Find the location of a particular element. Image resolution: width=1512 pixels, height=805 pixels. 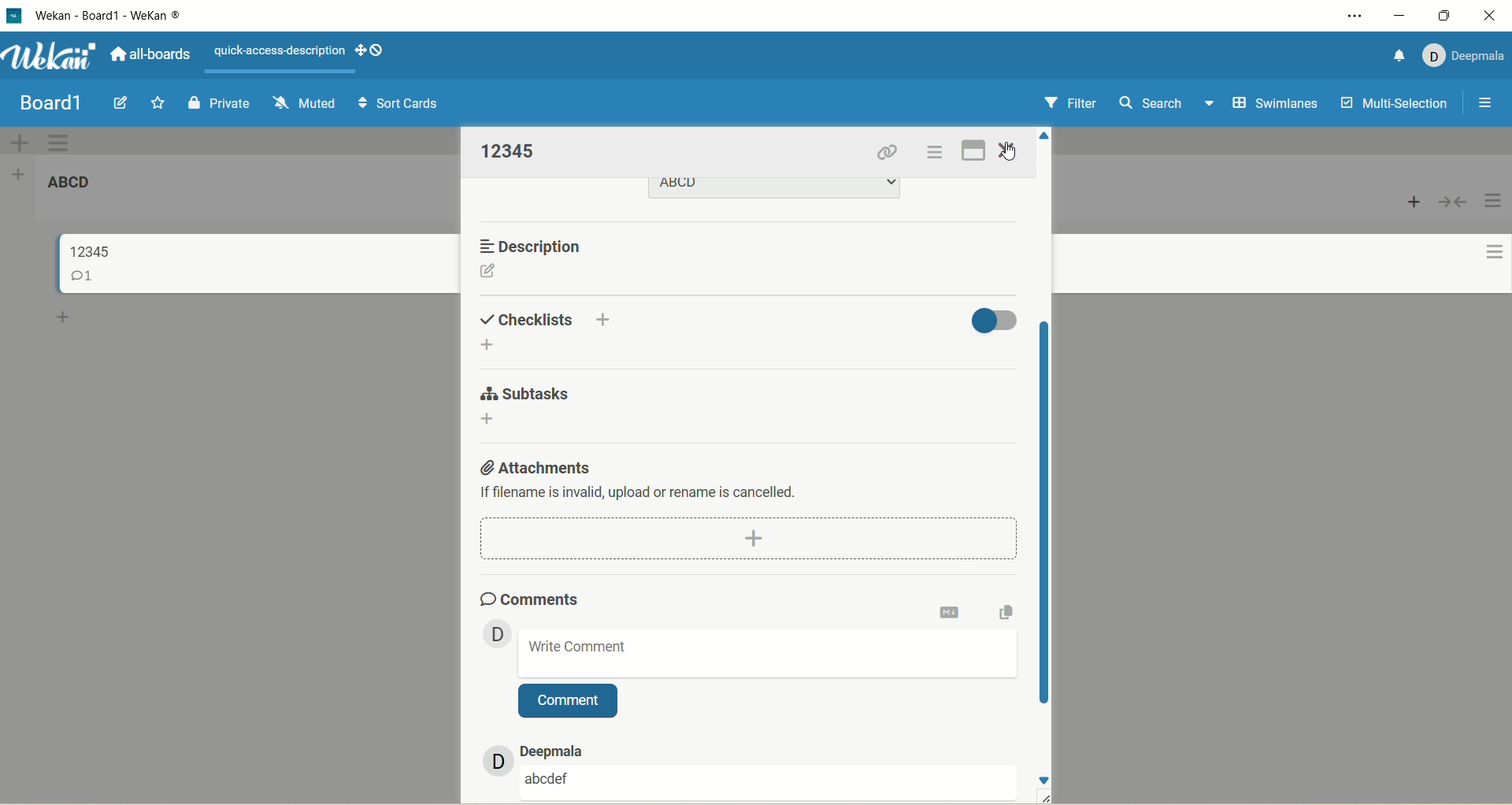

comment is located at coordinates (568, 702).